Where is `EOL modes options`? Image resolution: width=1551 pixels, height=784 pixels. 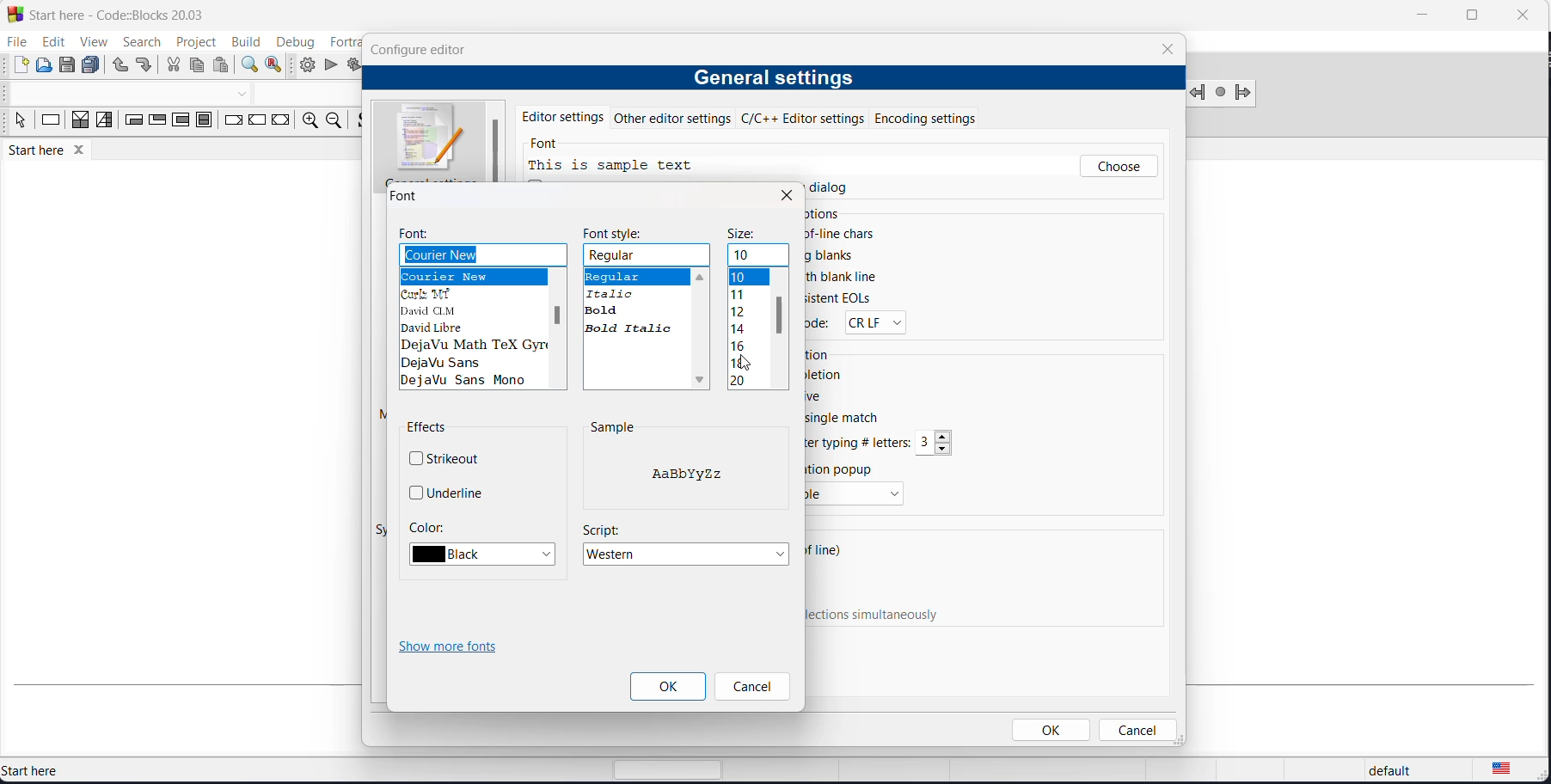
EOL modes options is located at coordinates (873, 322).